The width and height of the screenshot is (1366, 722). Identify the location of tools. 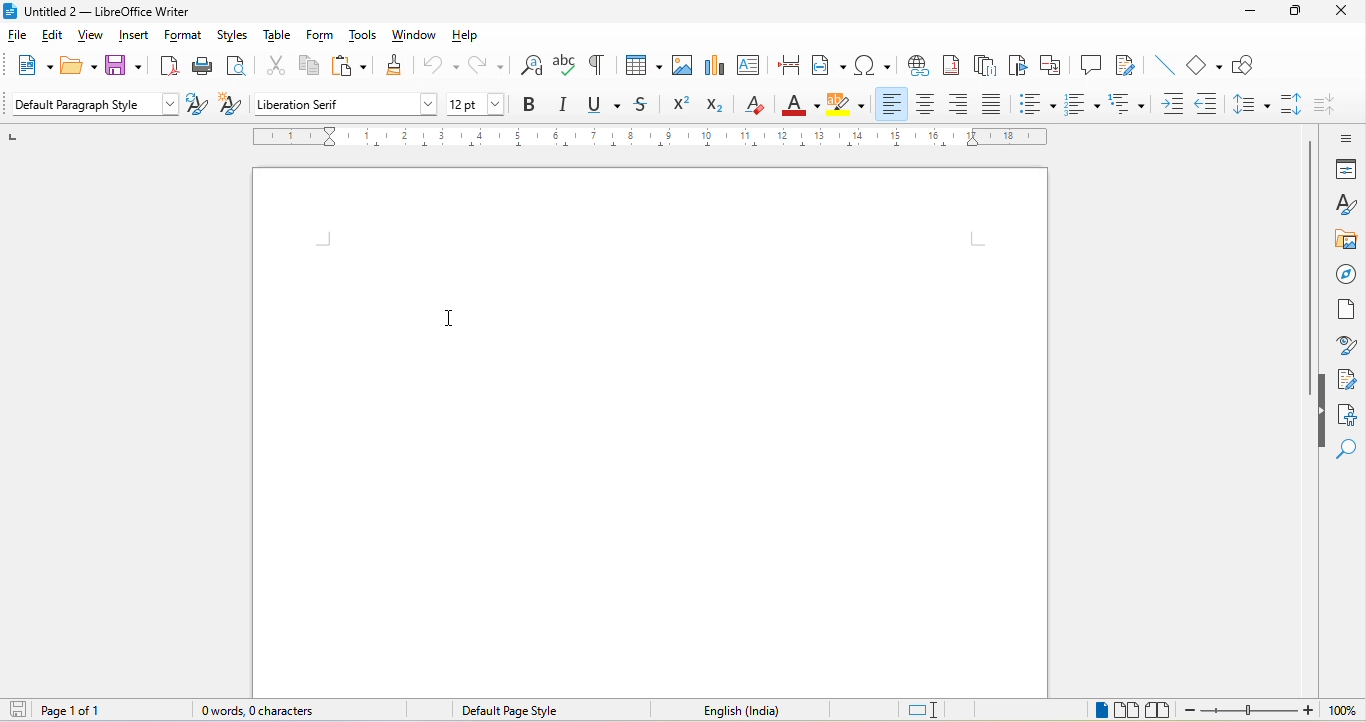
(367, 37).